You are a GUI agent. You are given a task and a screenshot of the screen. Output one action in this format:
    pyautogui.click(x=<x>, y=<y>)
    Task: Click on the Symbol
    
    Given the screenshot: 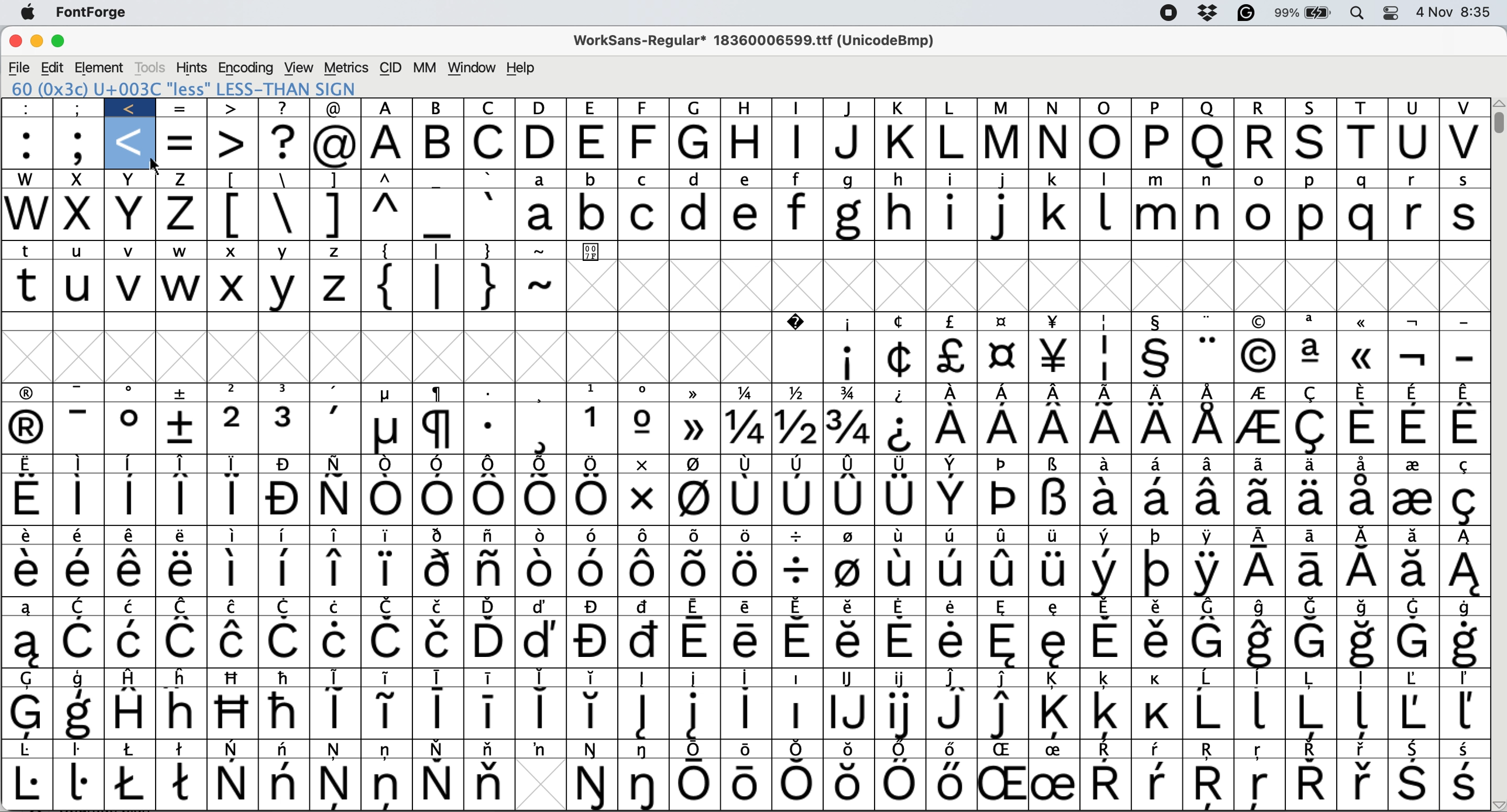 What is the action you would take?
    pyautogui.click(x=1412, y=783)
    